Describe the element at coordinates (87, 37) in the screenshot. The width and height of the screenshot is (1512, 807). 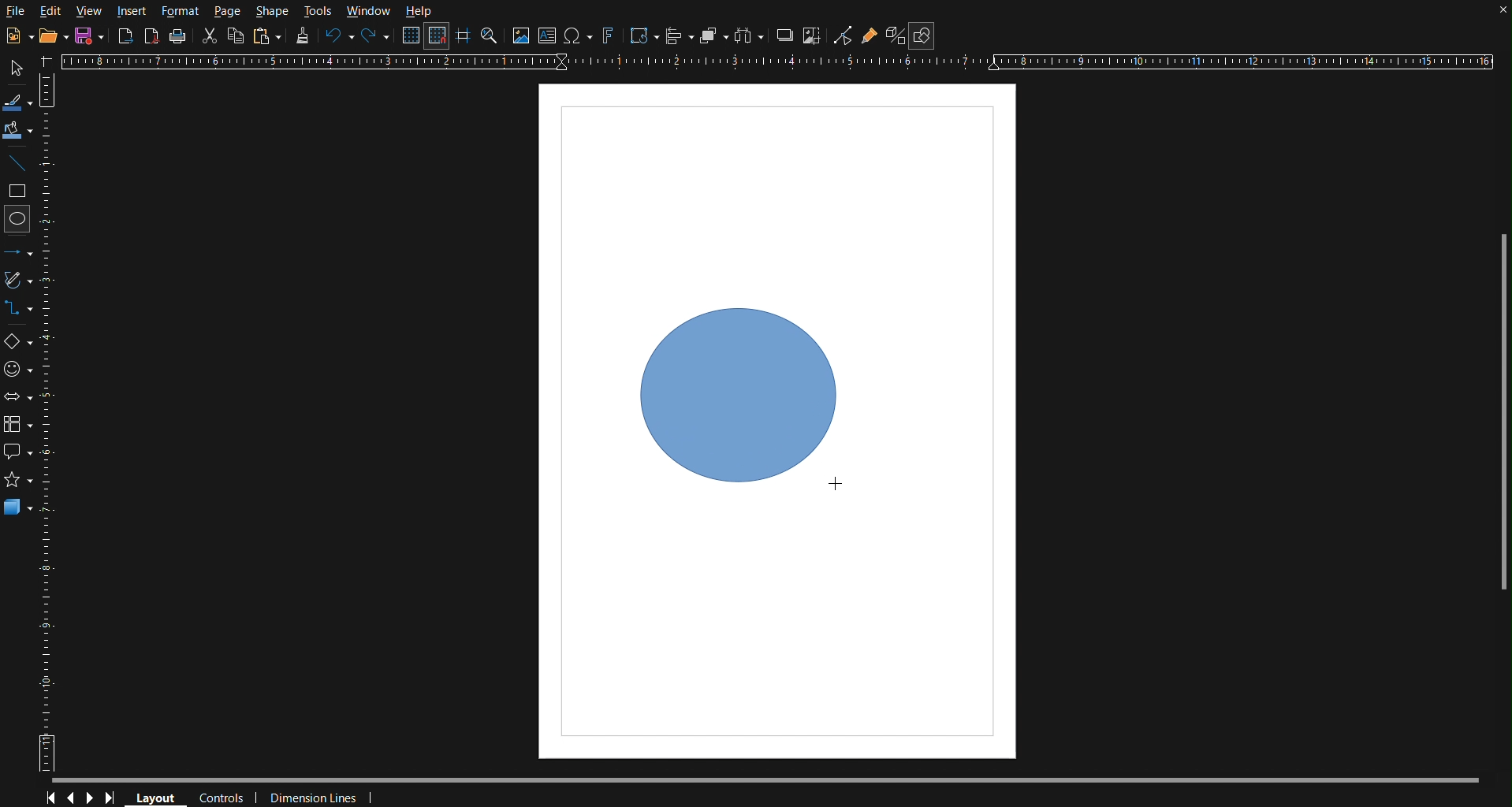
I see `New` at that location.